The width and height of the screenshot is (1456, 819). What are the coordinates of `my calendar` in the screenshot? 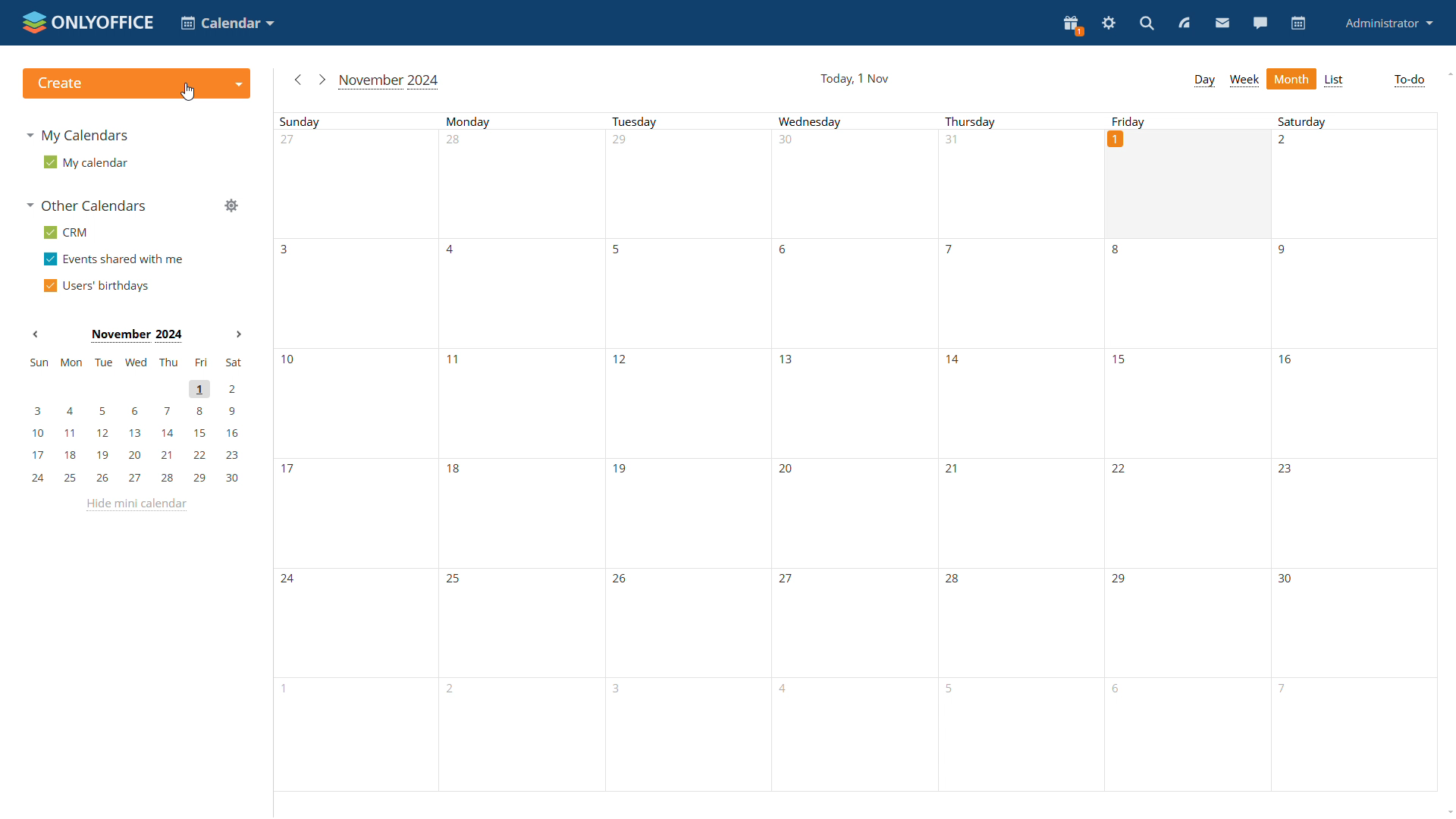 It's located at (86, 162).